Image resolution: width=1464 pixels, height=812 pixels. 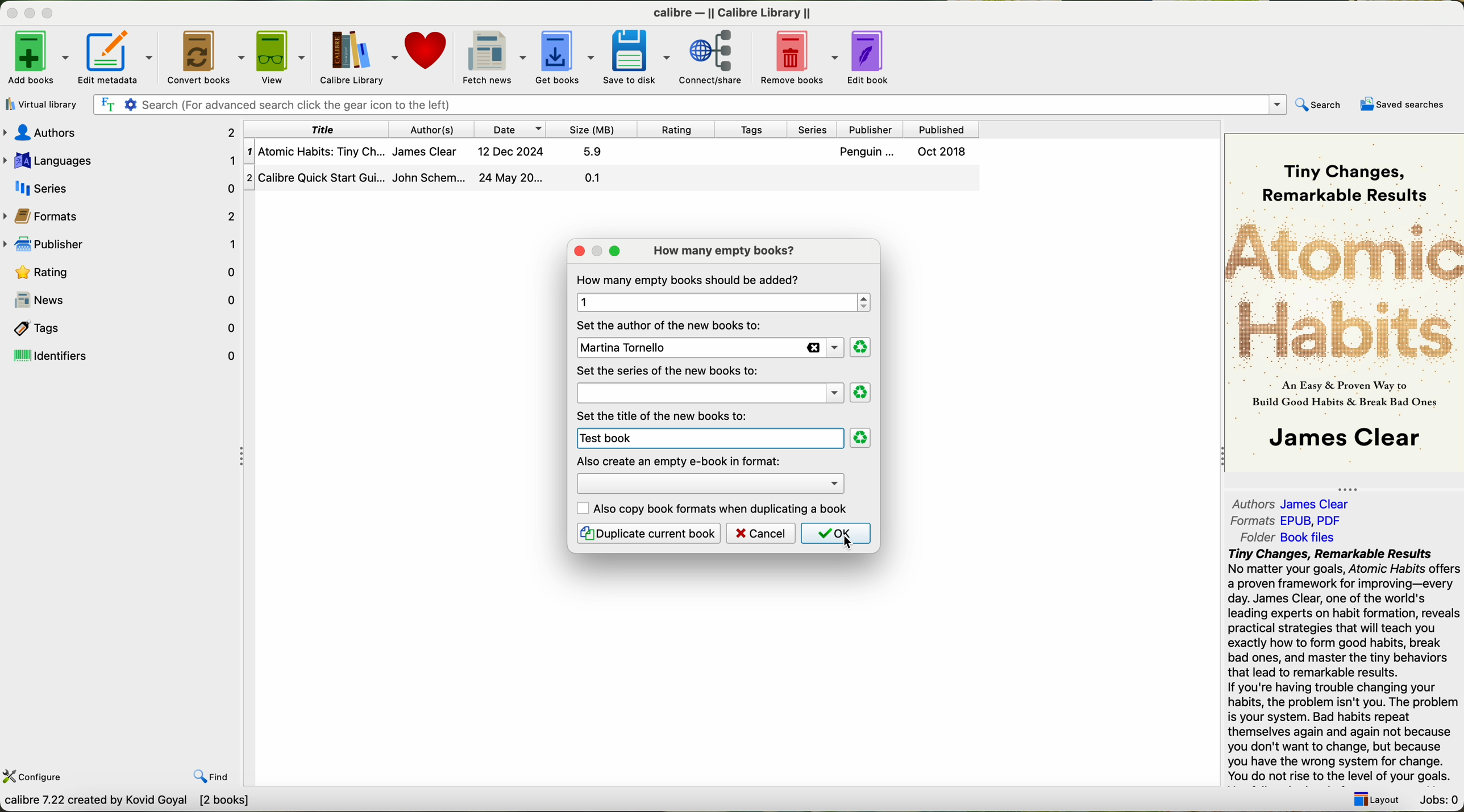 What do you see at coordinates (513, 128) in the screenshot?
I see `date` at bounding box center [513, 128].